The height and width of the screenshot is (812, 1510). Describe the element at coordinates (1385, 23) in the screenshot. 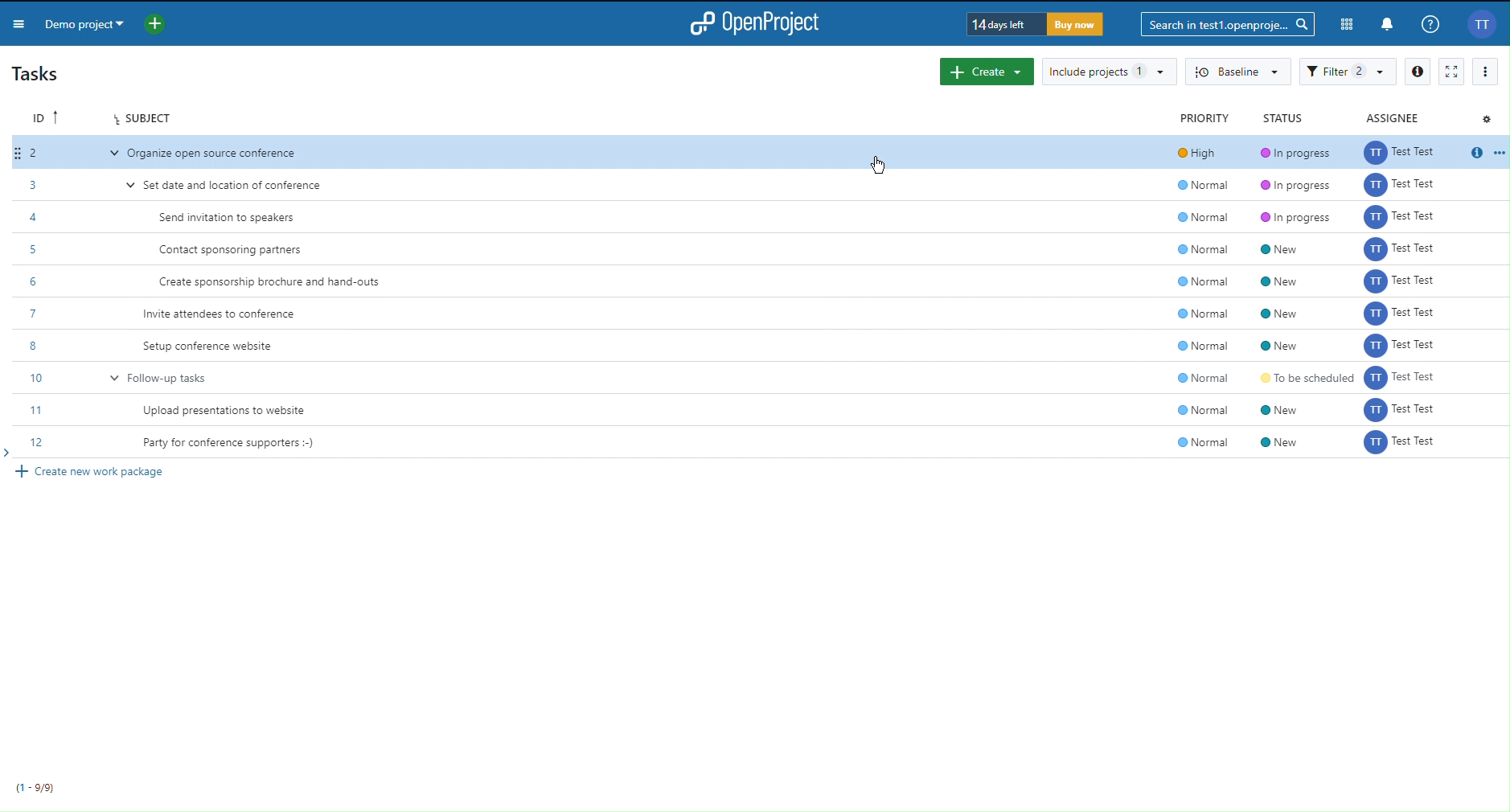

I see `Notifications` at that location.